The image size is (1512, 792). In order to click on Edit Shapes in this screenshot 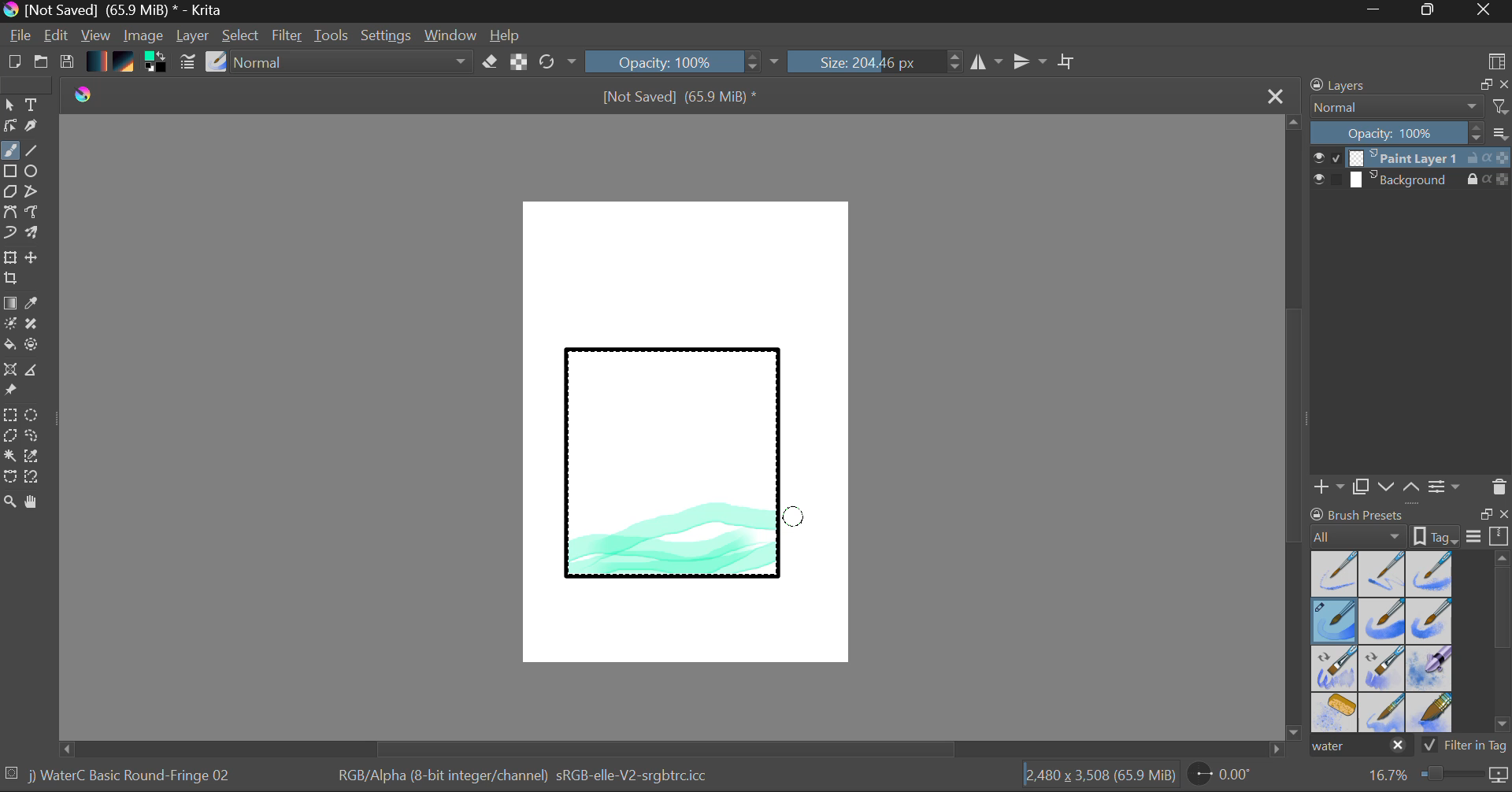, I will do `click(9, 128)`.